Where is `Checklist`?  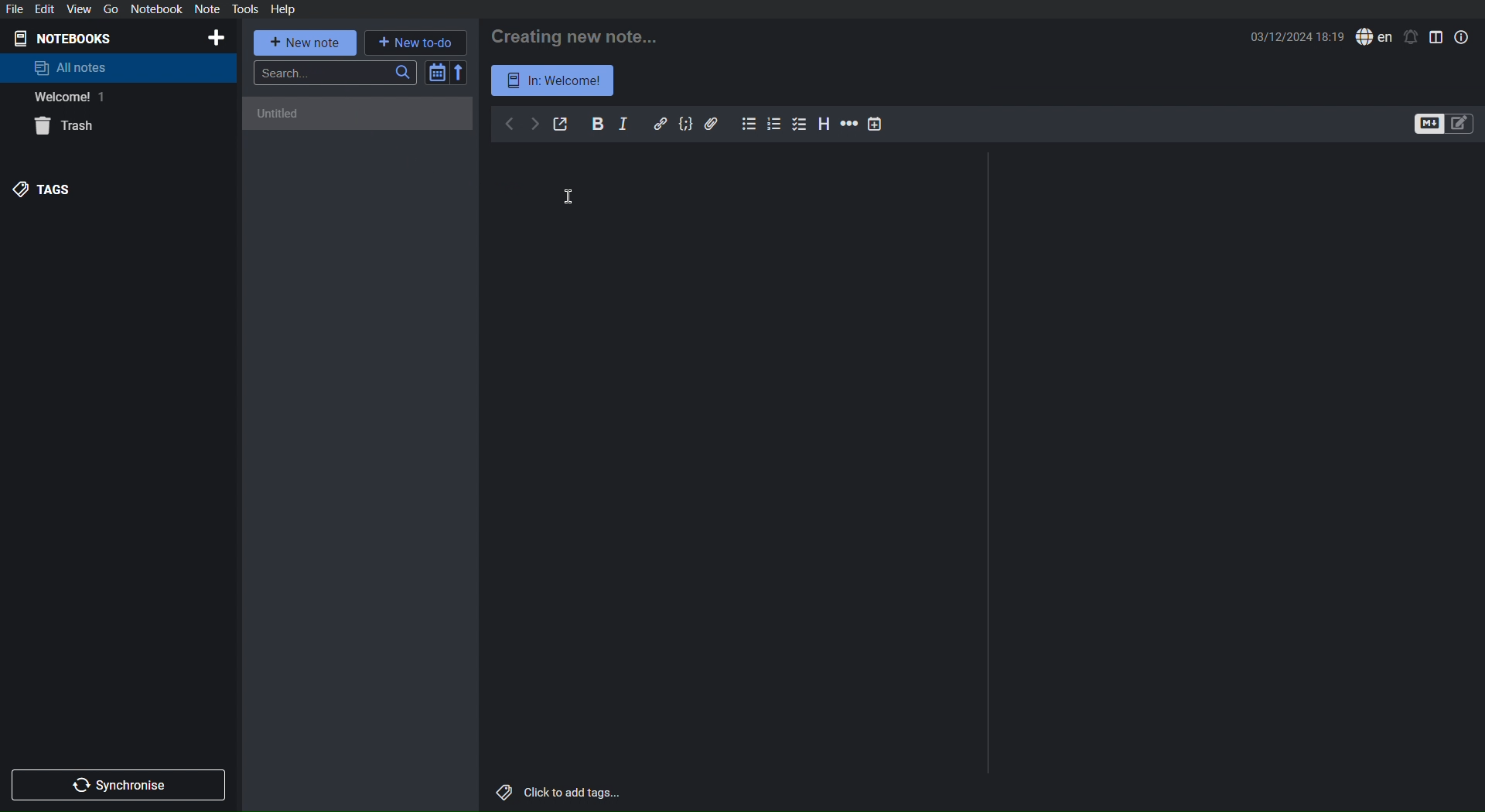 Checklist is located at coordinates (801, 124).